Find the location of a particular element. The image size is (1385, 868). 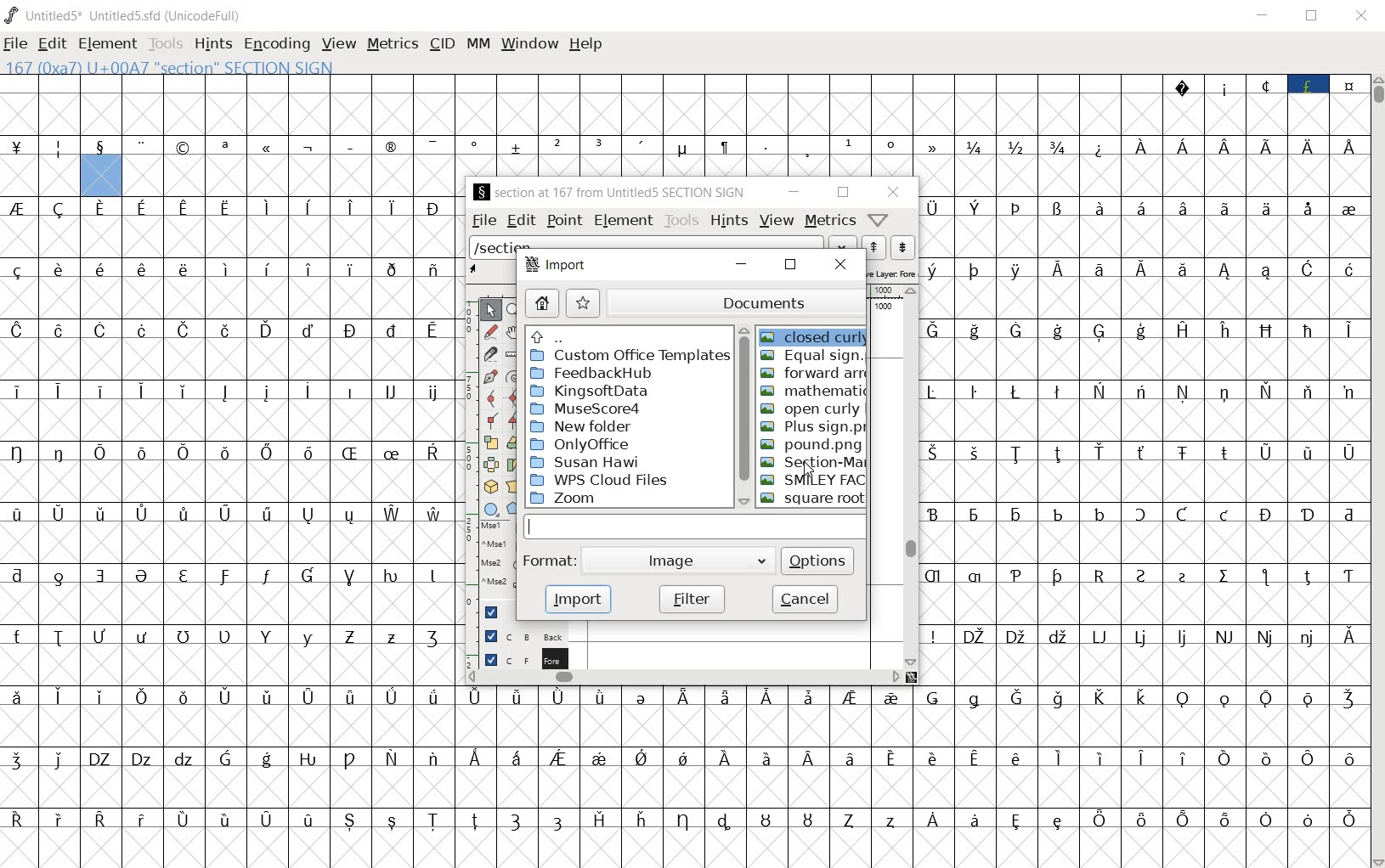

Guide is located at coordinates (496, 612).